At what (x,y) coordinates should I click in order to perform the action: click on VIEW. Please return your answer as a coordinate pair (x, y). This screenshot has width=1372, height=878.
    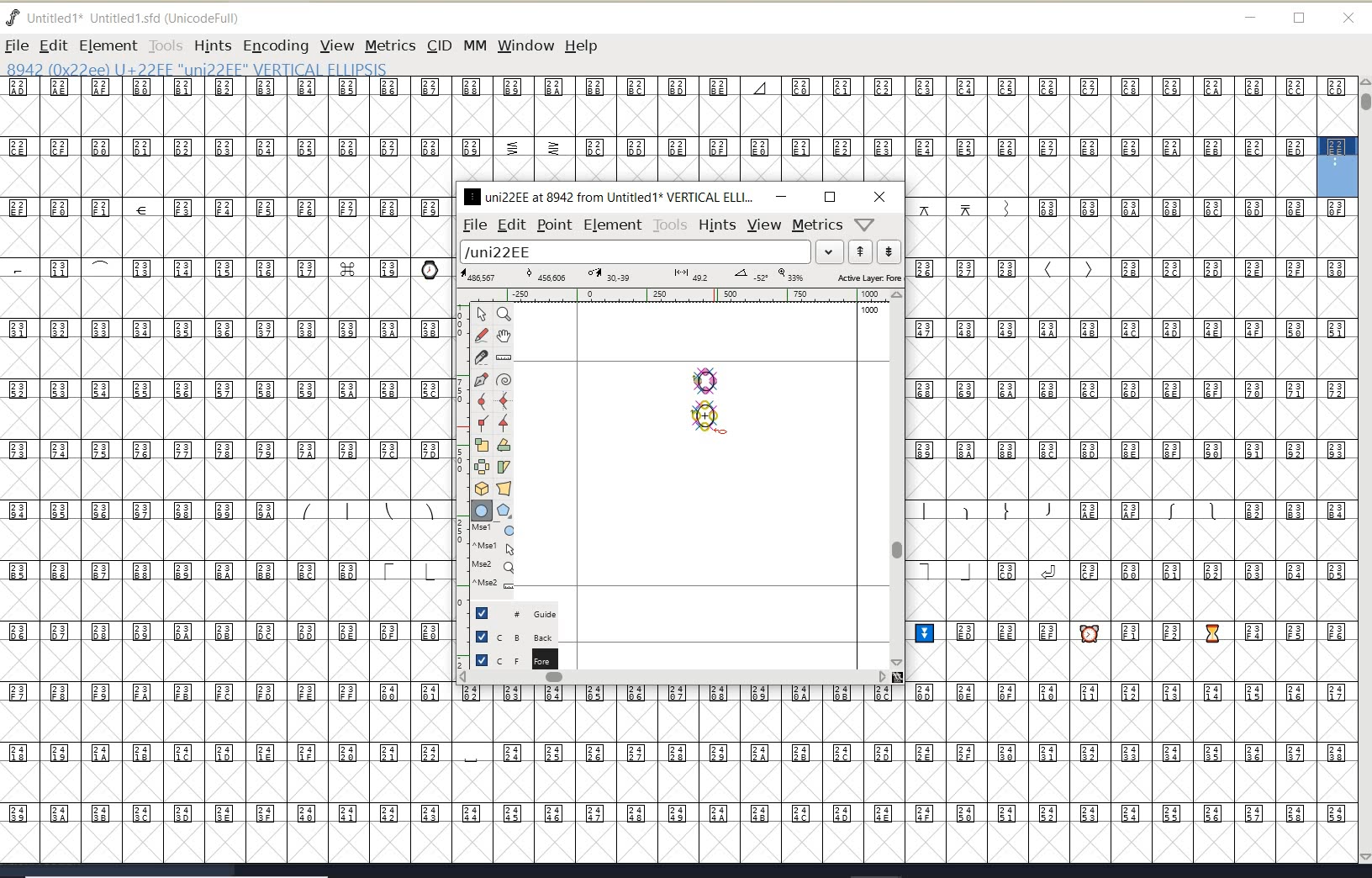
    Looking at the image, I should click on (335, 45).